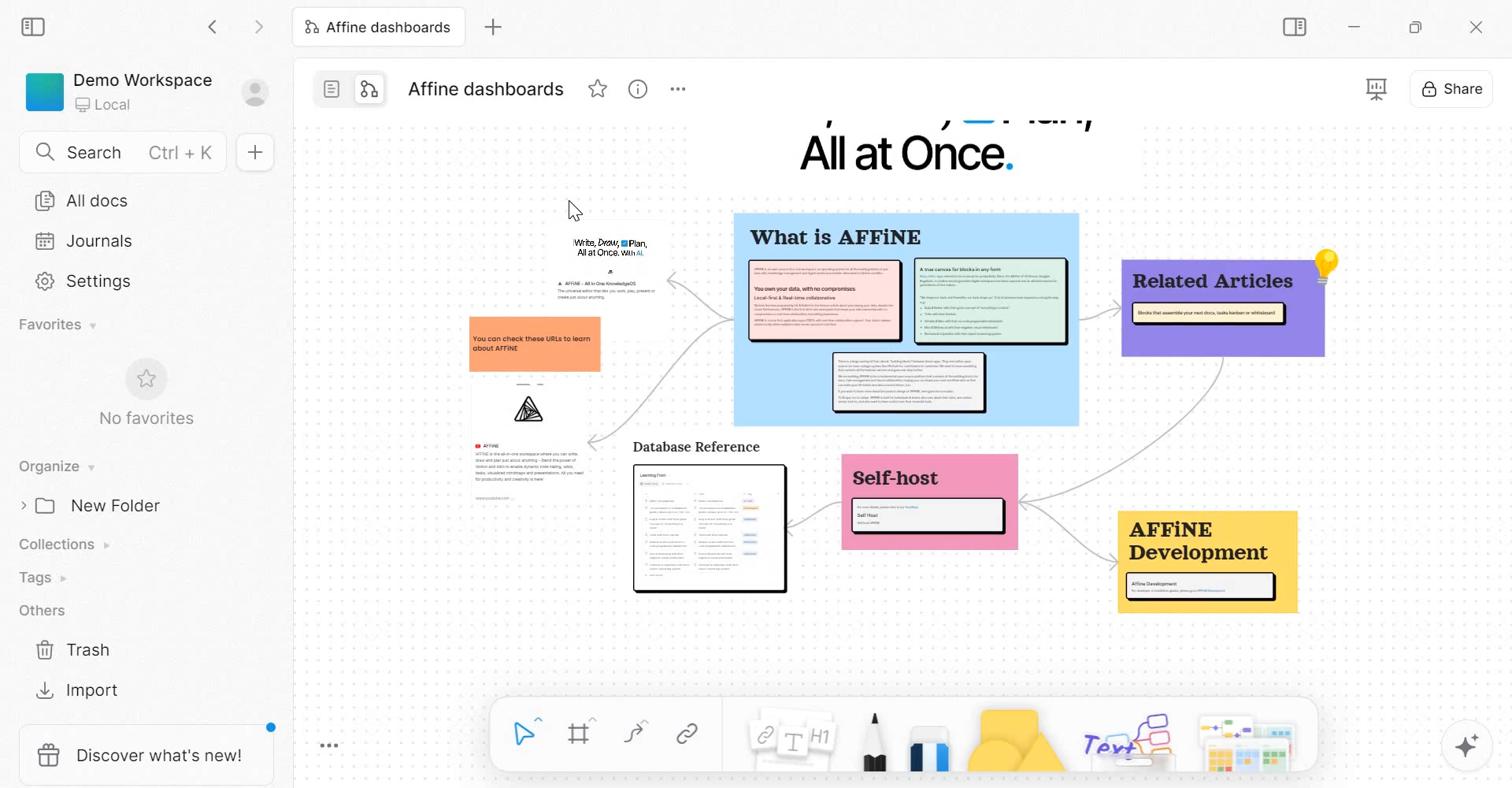 The height and width of the screenshot is (788, 1512). I want to click on Sidebar Toggle, so click(1295, 28).